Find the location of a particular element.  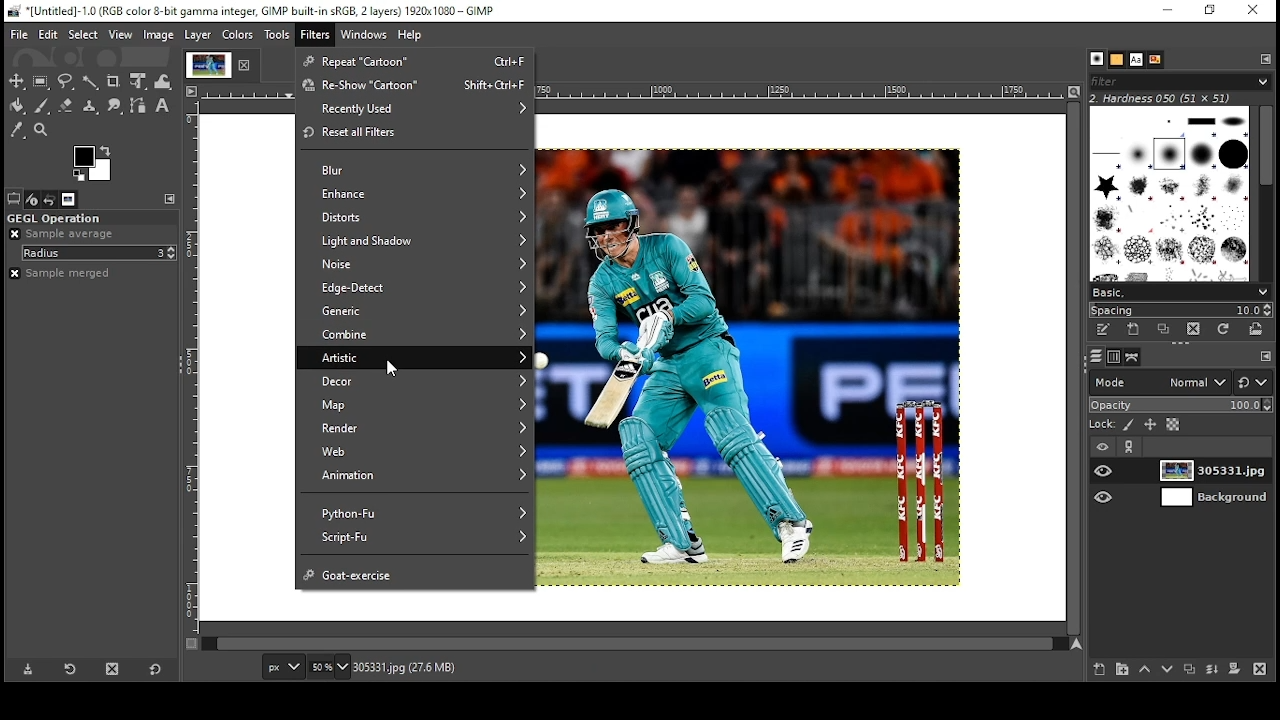

paintbrush tool is located at coordinates (42, 106).